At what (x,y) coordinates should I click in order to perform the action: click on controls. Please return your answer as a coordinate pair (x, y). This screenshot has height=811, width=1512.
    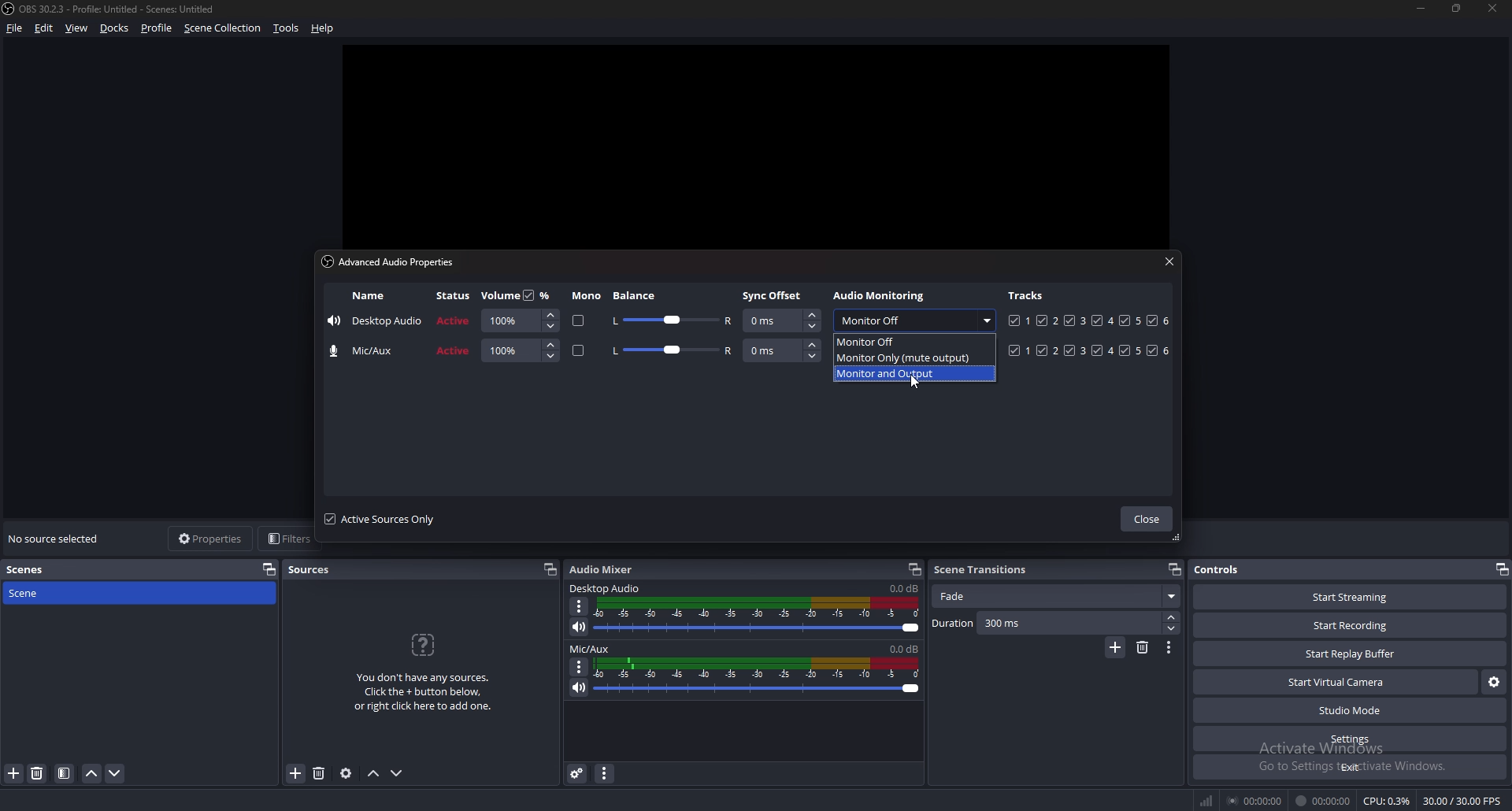
    Looking at the image, I should click on (1221, 568).